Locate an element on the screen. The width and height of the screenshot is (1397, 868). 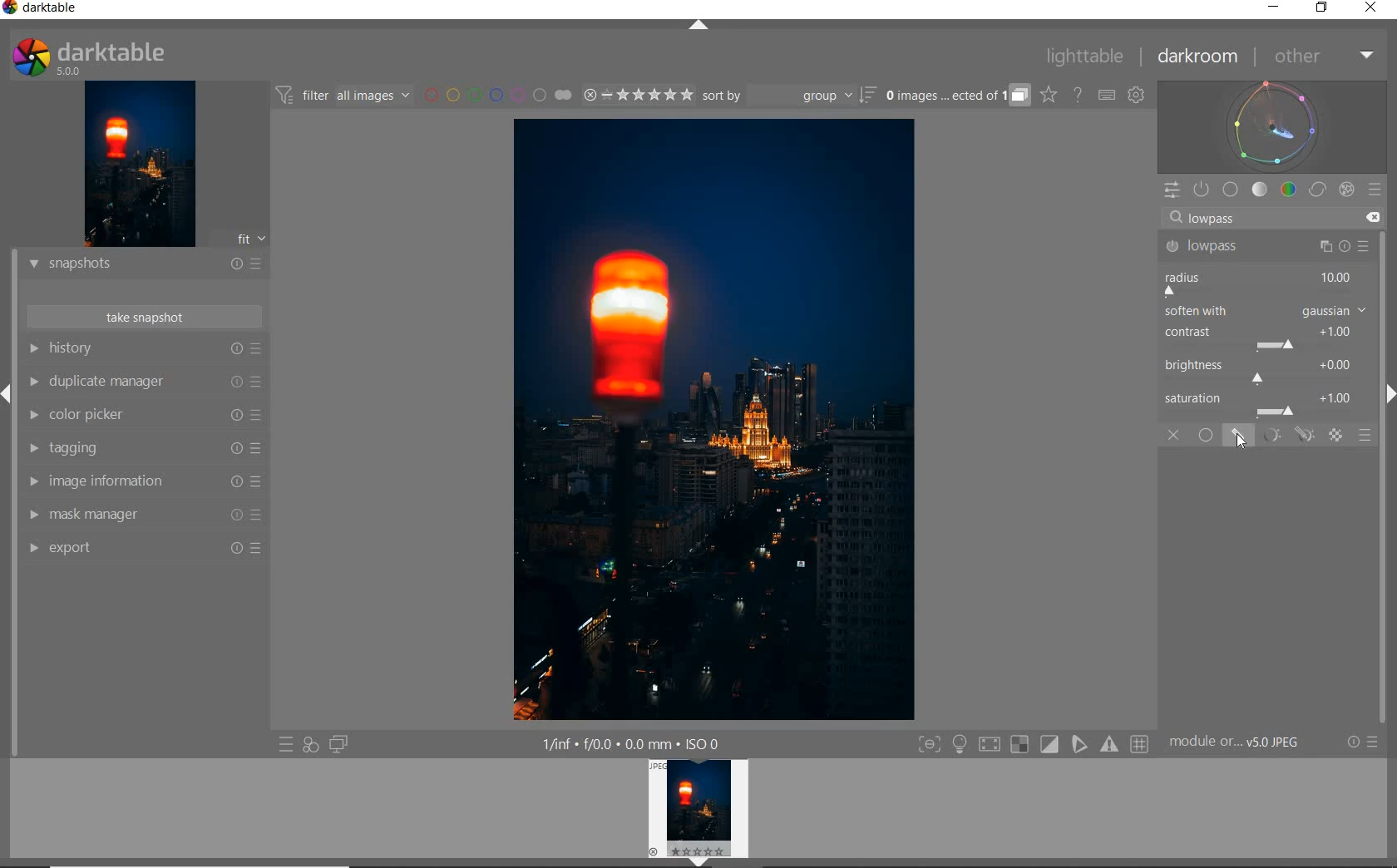
Resets is located at coordinates (235, 260).